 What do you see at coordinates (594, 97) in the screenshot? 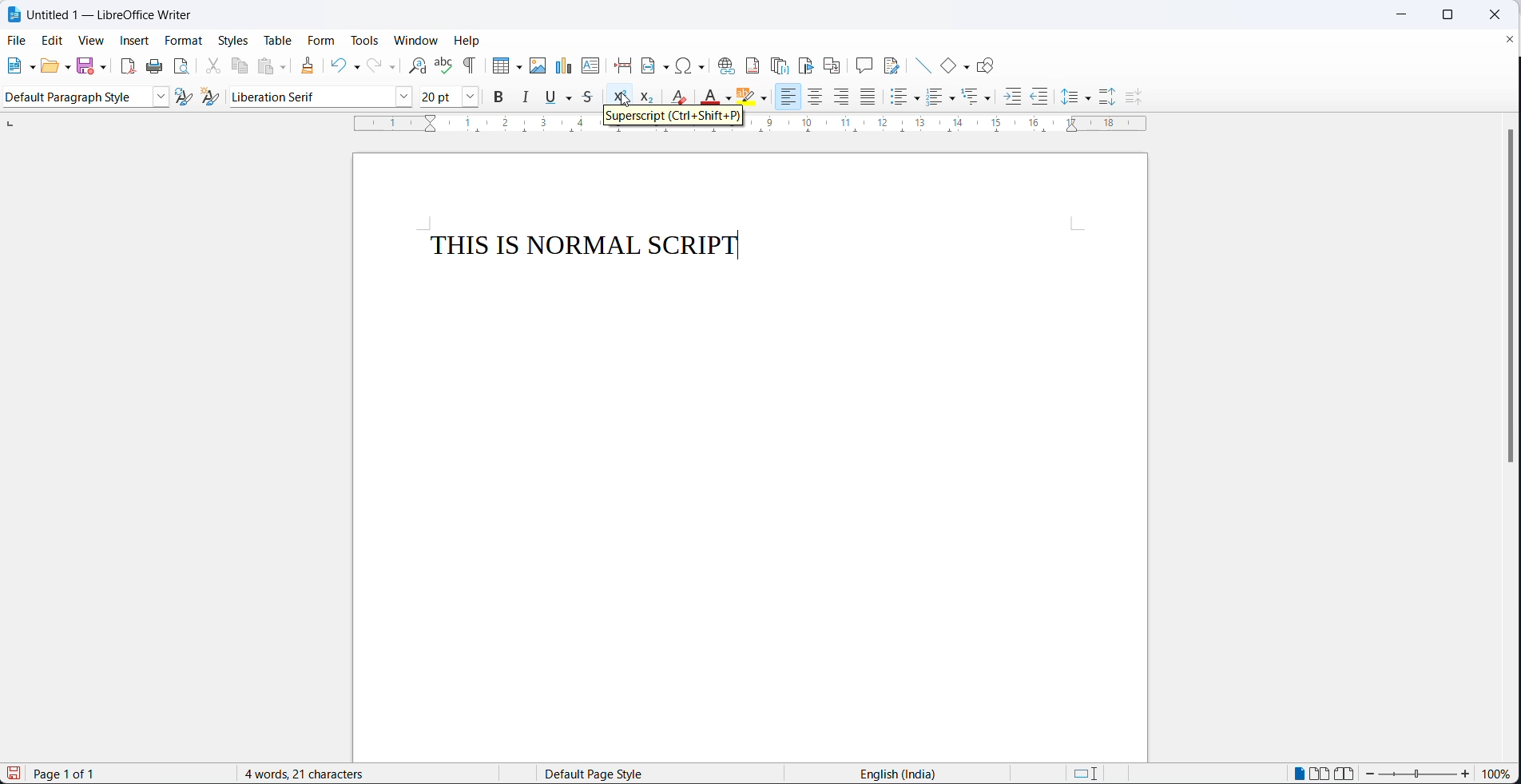
I see `strike through` at bounding box center [594, 97].